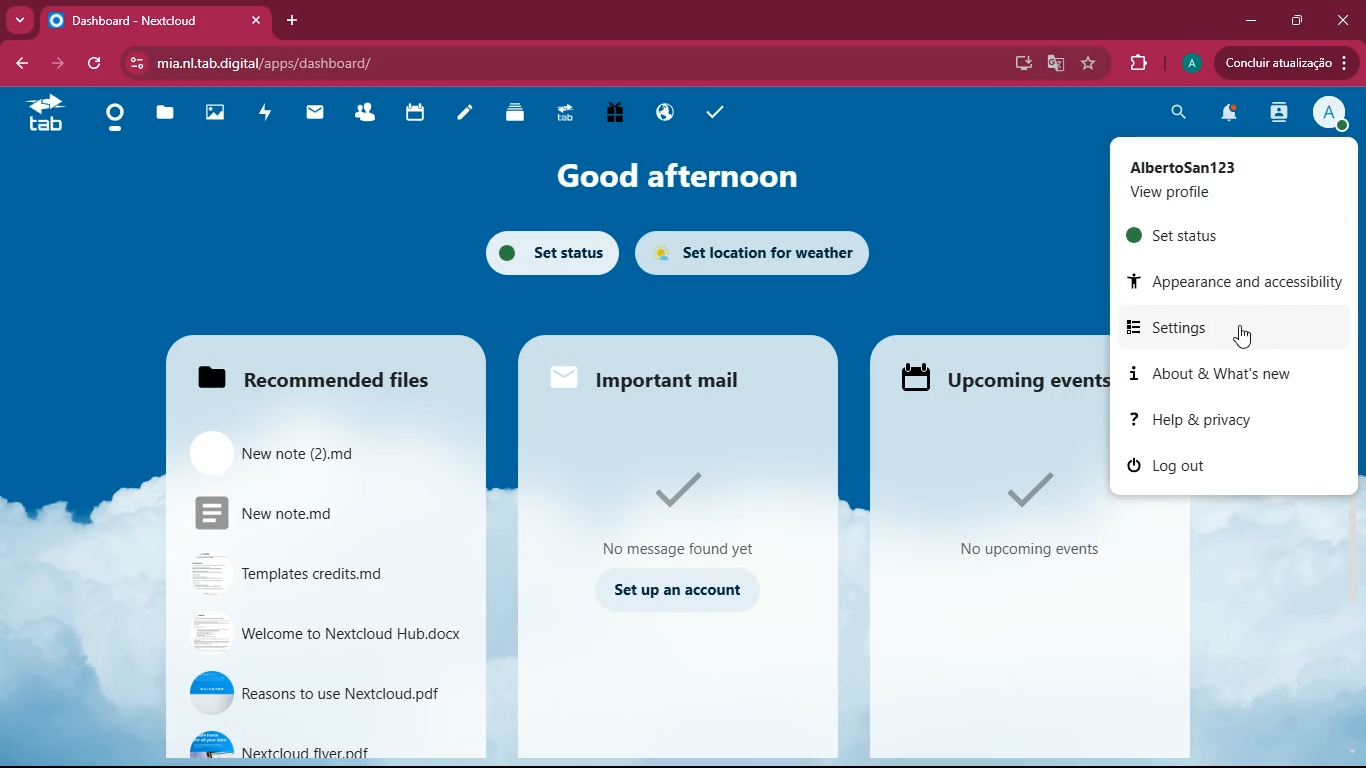 Image resolution: width=1366 pixels, height=768 pixels. I want to click on notifications, so click(1227, 114).